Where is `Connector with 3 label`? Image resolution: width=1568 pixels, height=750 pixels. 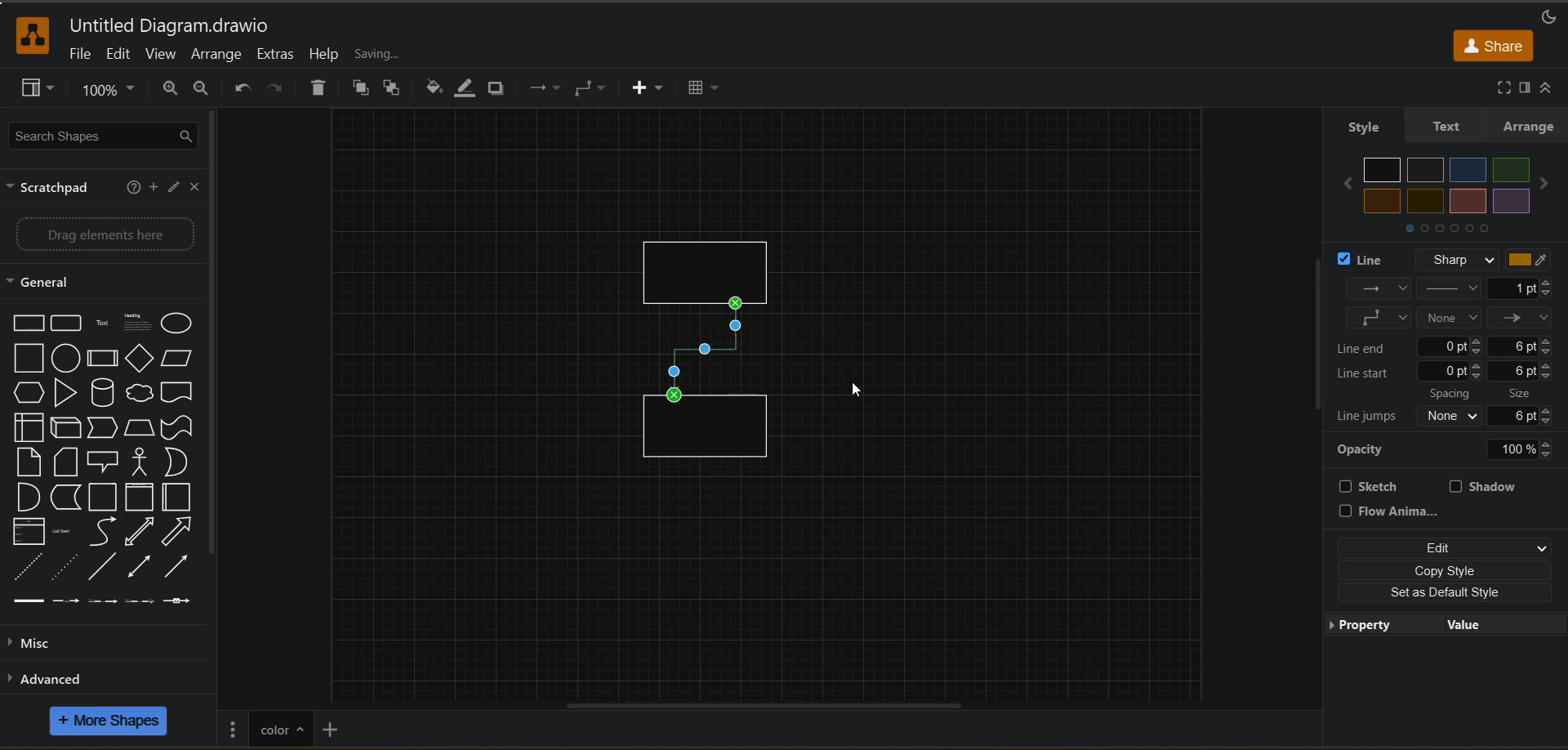 Connector with 3 label is located at coordinates (139, 604).